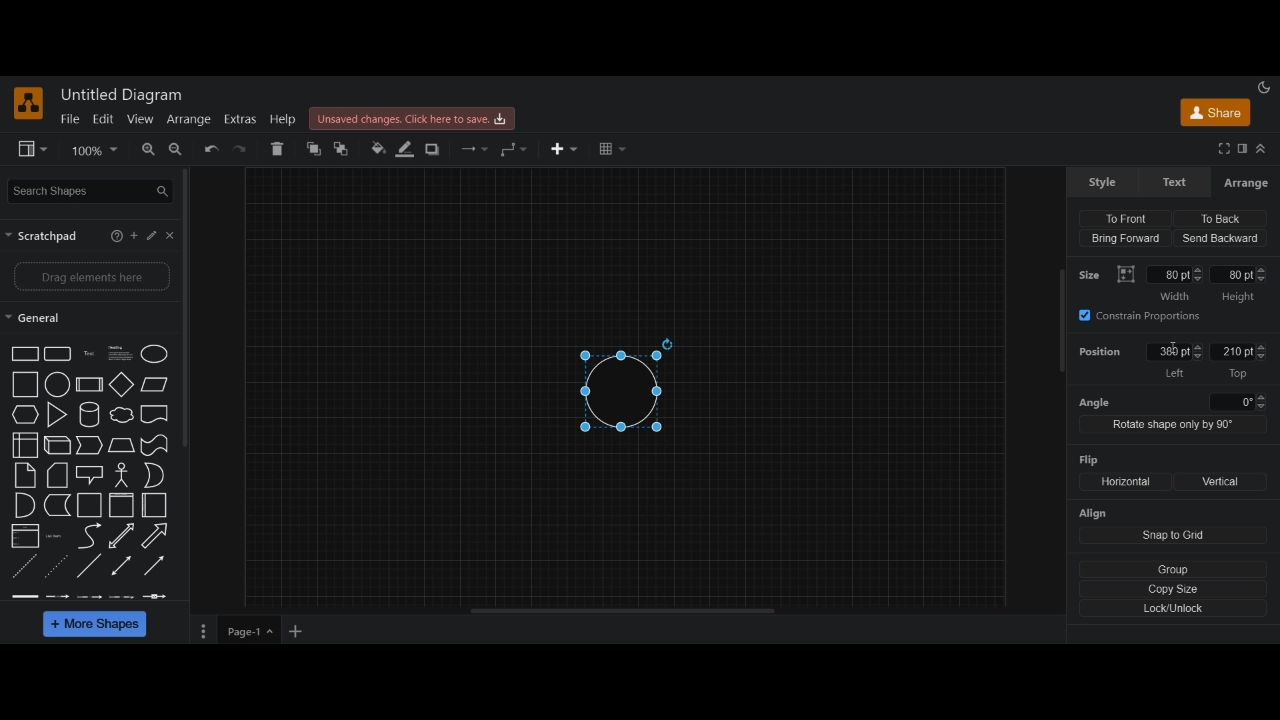  I want to click on Triangle, so click(58, 416).